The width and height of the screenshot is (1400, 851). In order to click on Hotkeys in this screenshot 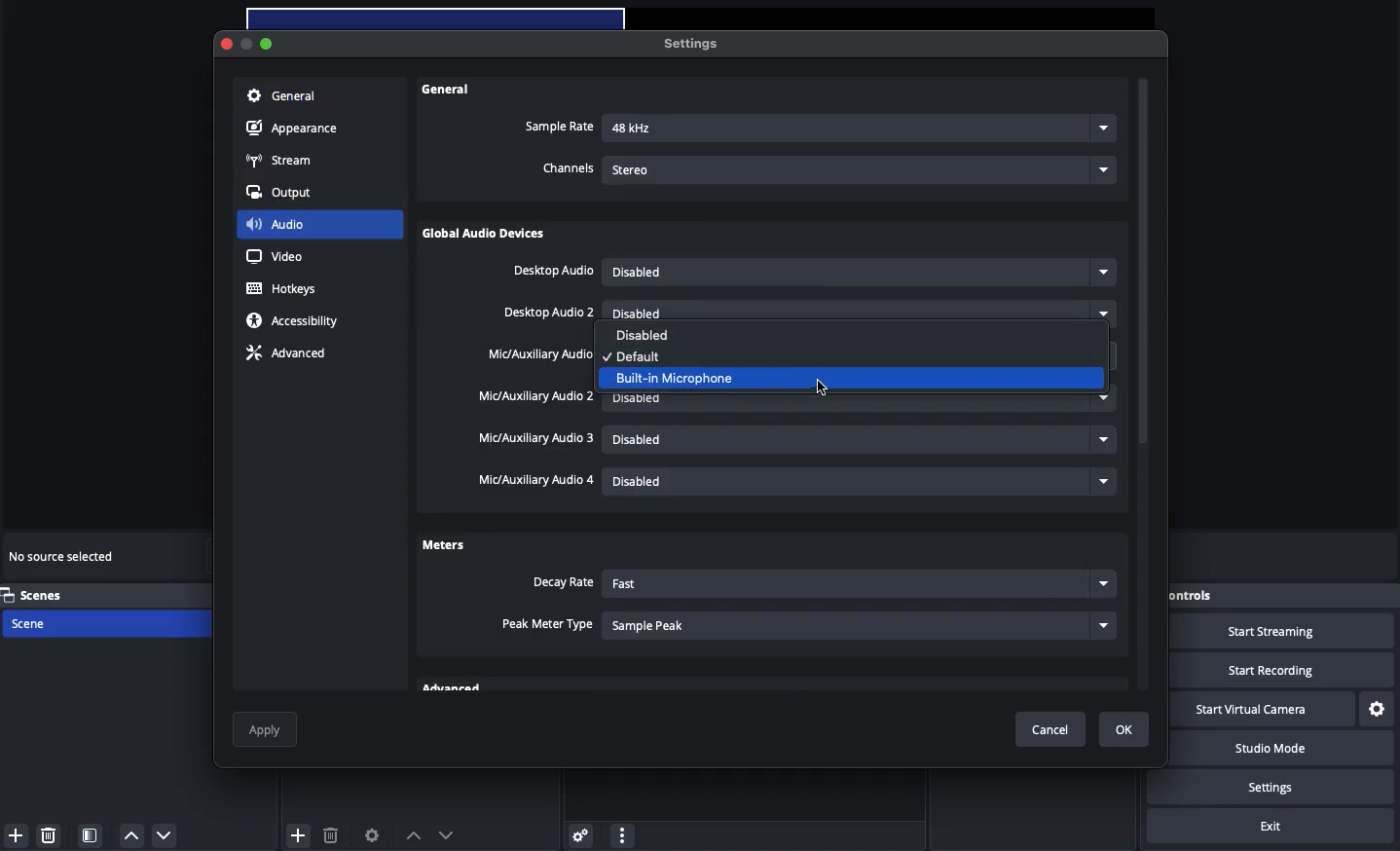, I will do `click(285, 289)`.